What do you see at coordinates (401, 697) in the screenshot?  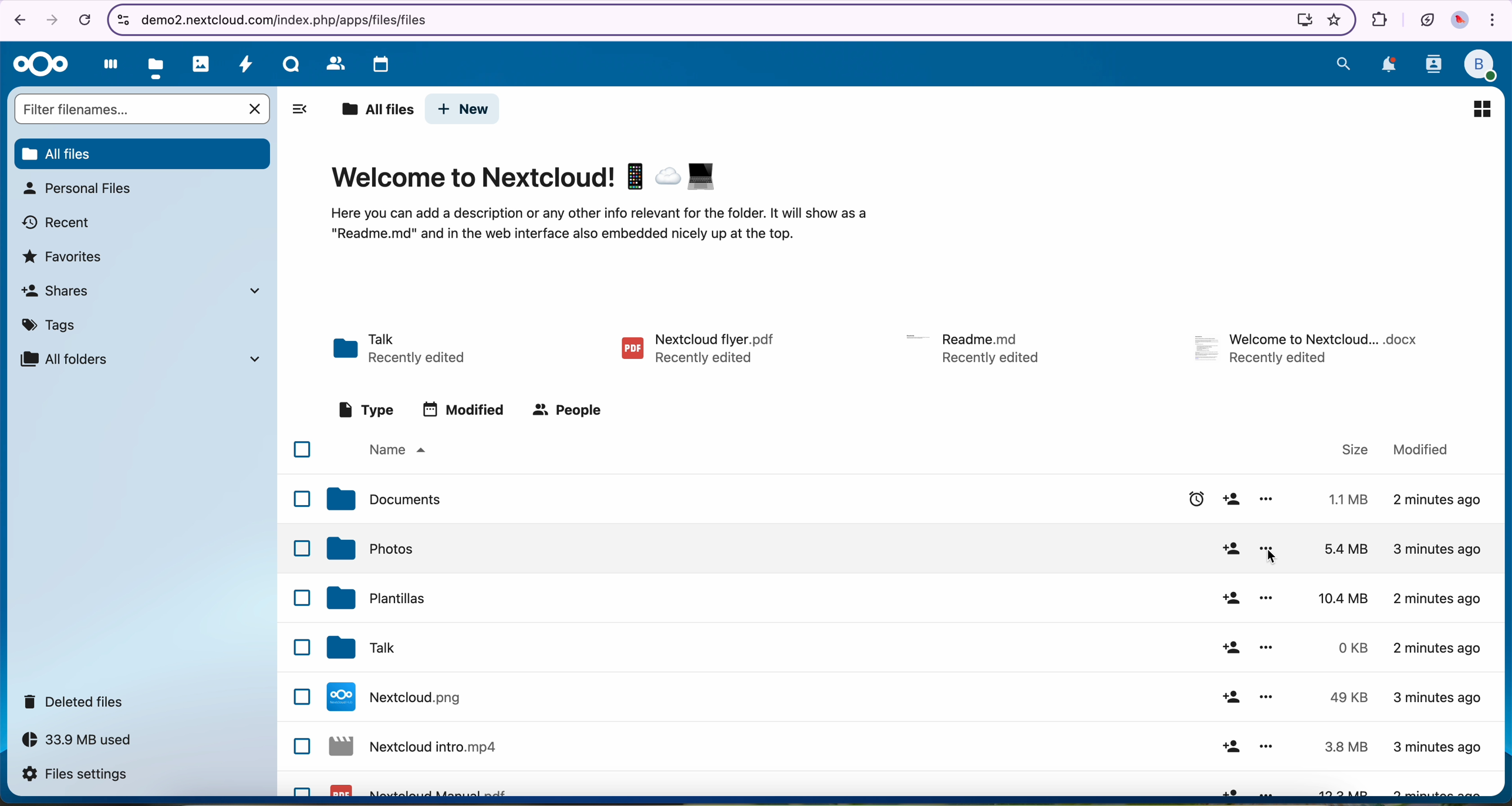 I see `Nextcloud file` at bounding box center [401, 697].